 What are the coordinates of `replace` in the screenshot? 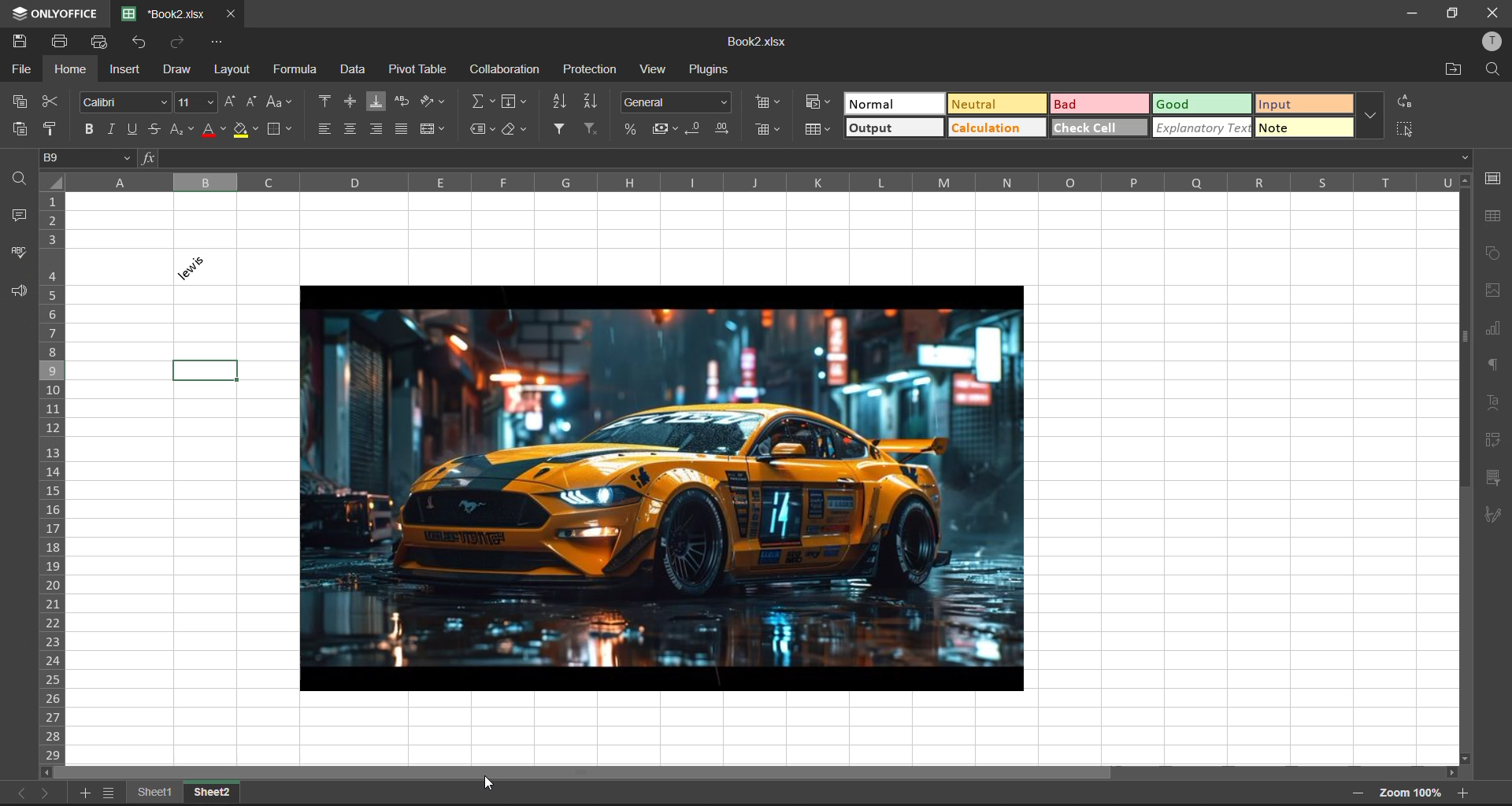 It's located at (1406, 102).